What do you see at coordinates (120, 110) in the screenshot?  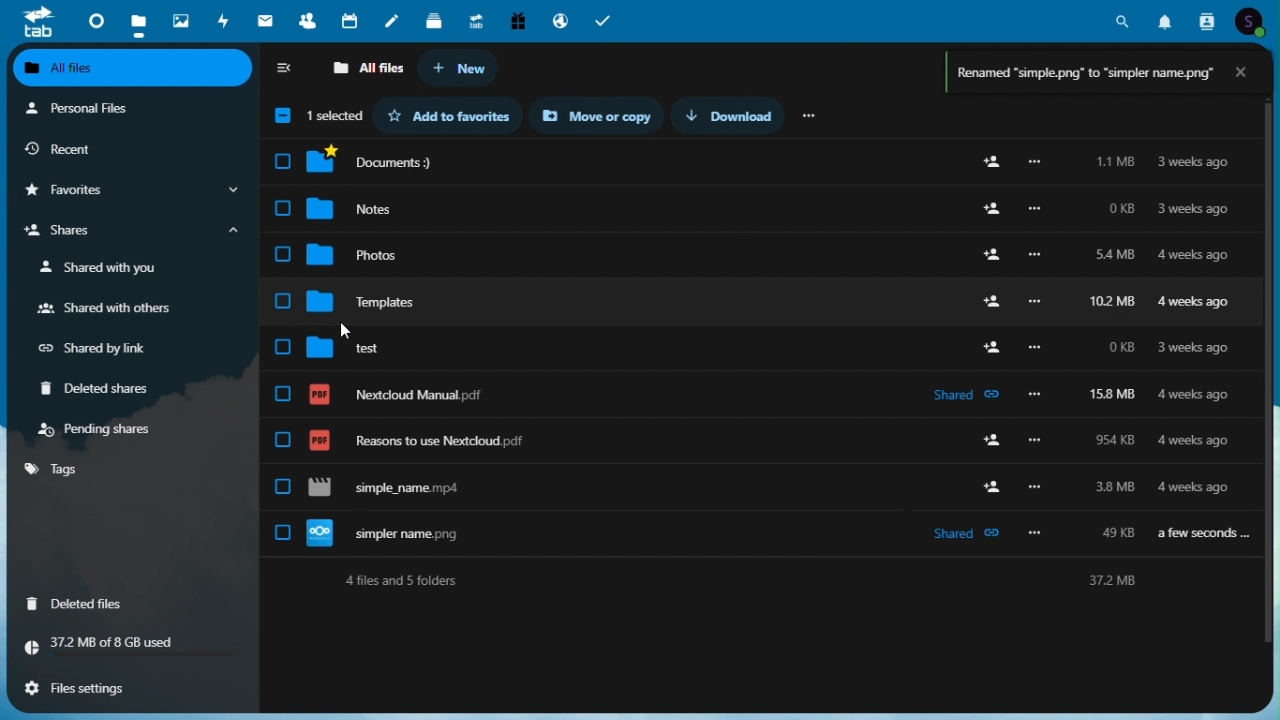 I see `personal files` at bounding box center [120, 110].